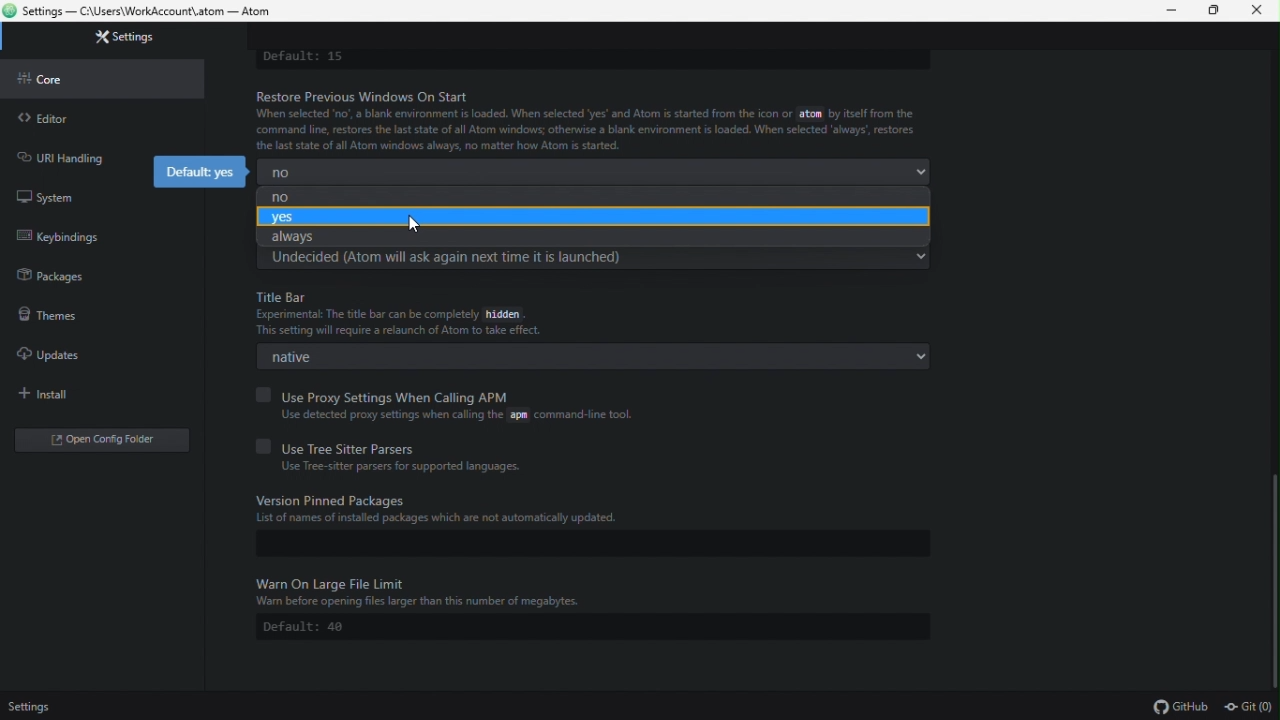 This screenshot has width=1280, height=720. I want to click on key bindings, so click(62, 235).